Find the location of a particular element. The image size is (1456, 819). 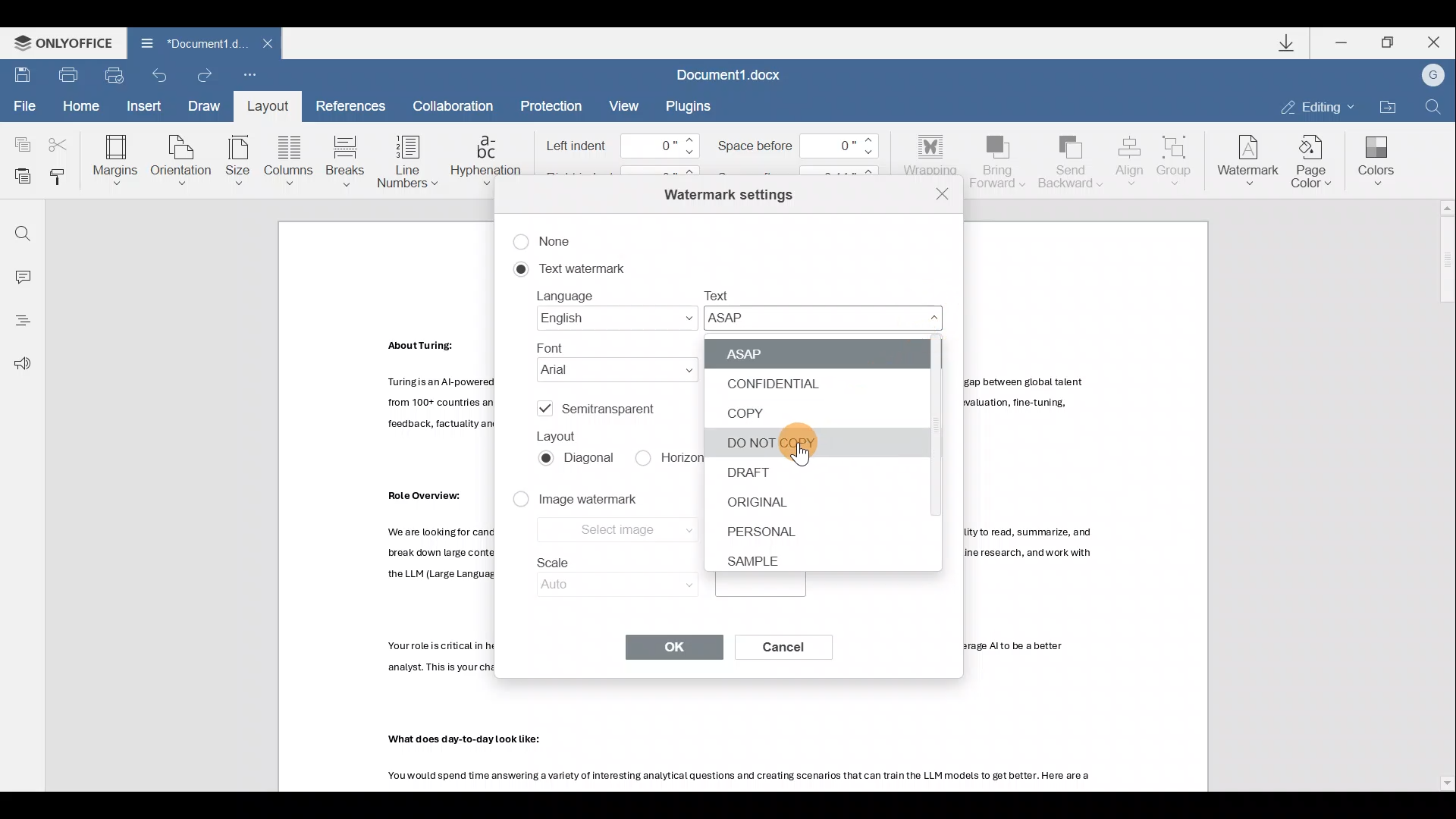

Page color is located at coordinates (1316, 158).